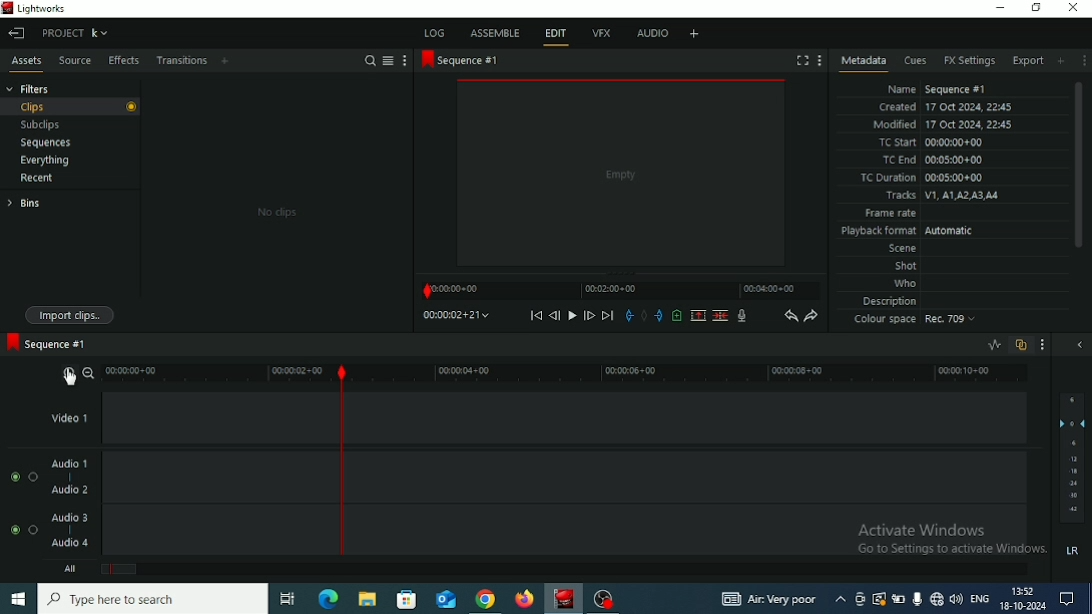  Describe the element at coordinates (7, 7) in the screenshot. I see `Logo` at that location.